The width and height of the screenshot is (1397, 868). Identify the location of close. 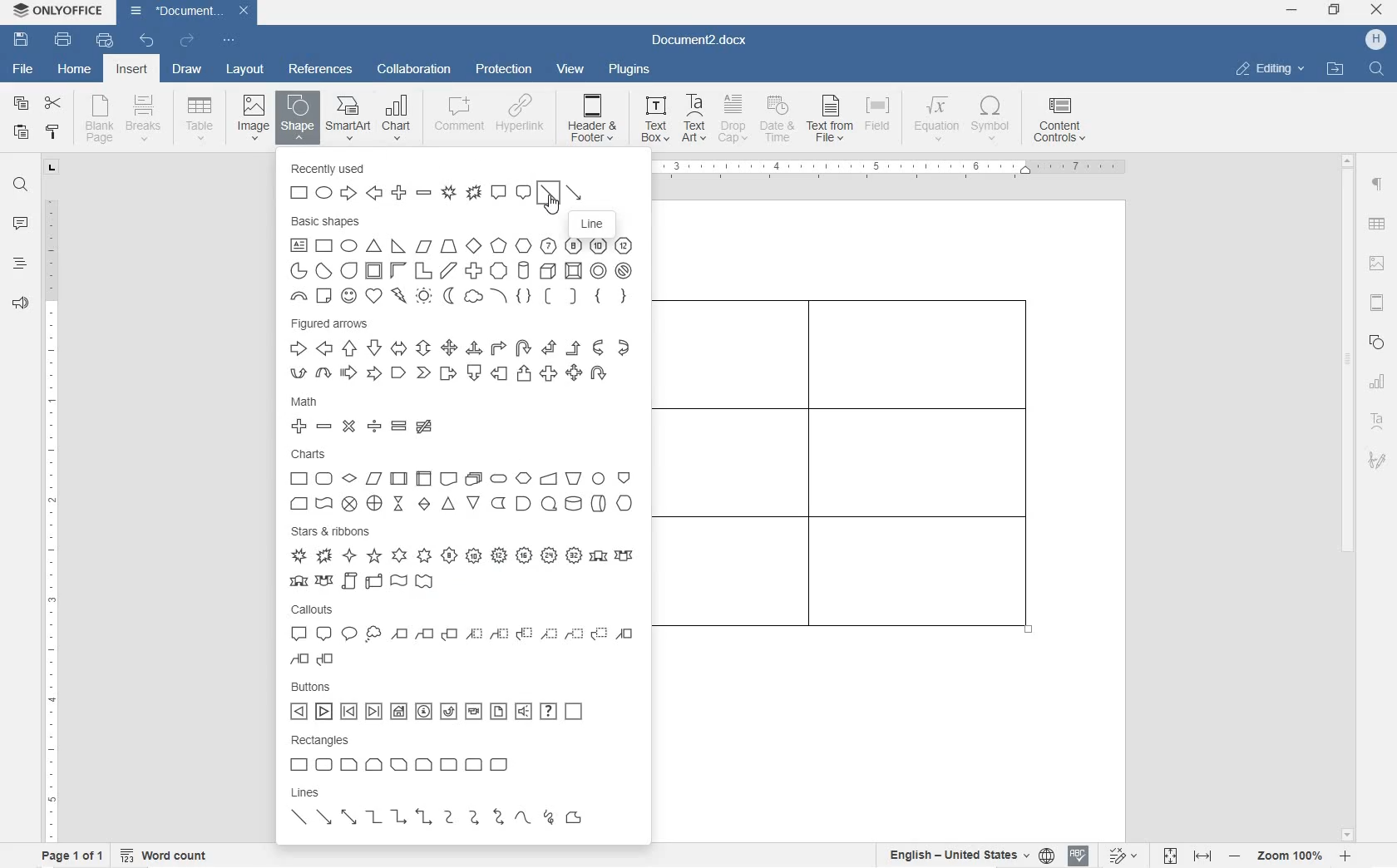
(1376, 11).